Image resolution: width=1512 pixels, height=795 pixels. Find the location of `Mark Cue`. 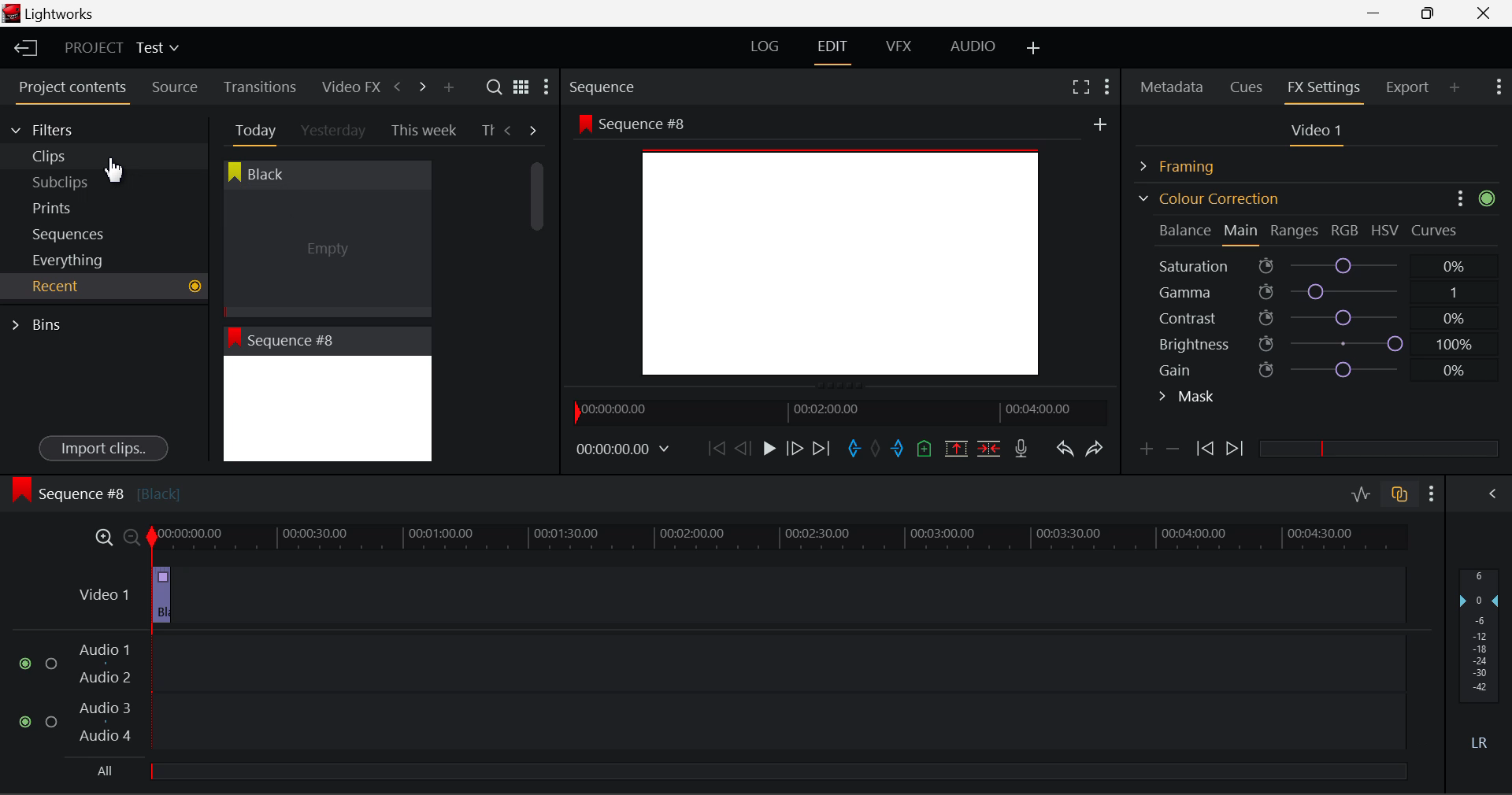

Mark Cue is located at coordinates (923, 449).